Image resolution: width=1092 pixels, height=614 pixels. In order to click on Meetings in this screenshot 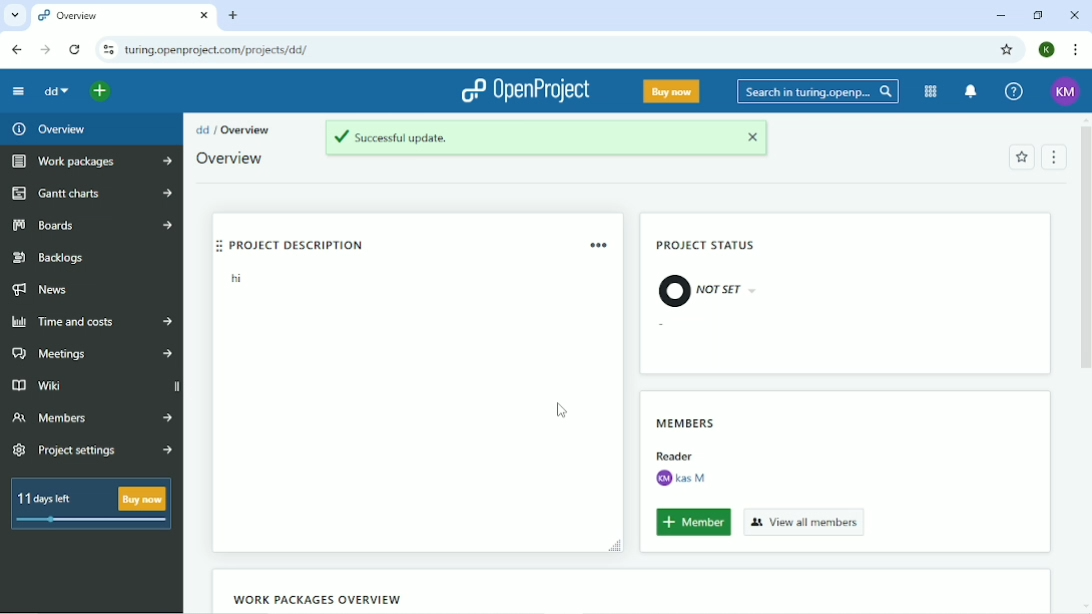, I will do `click(90, 354)`.